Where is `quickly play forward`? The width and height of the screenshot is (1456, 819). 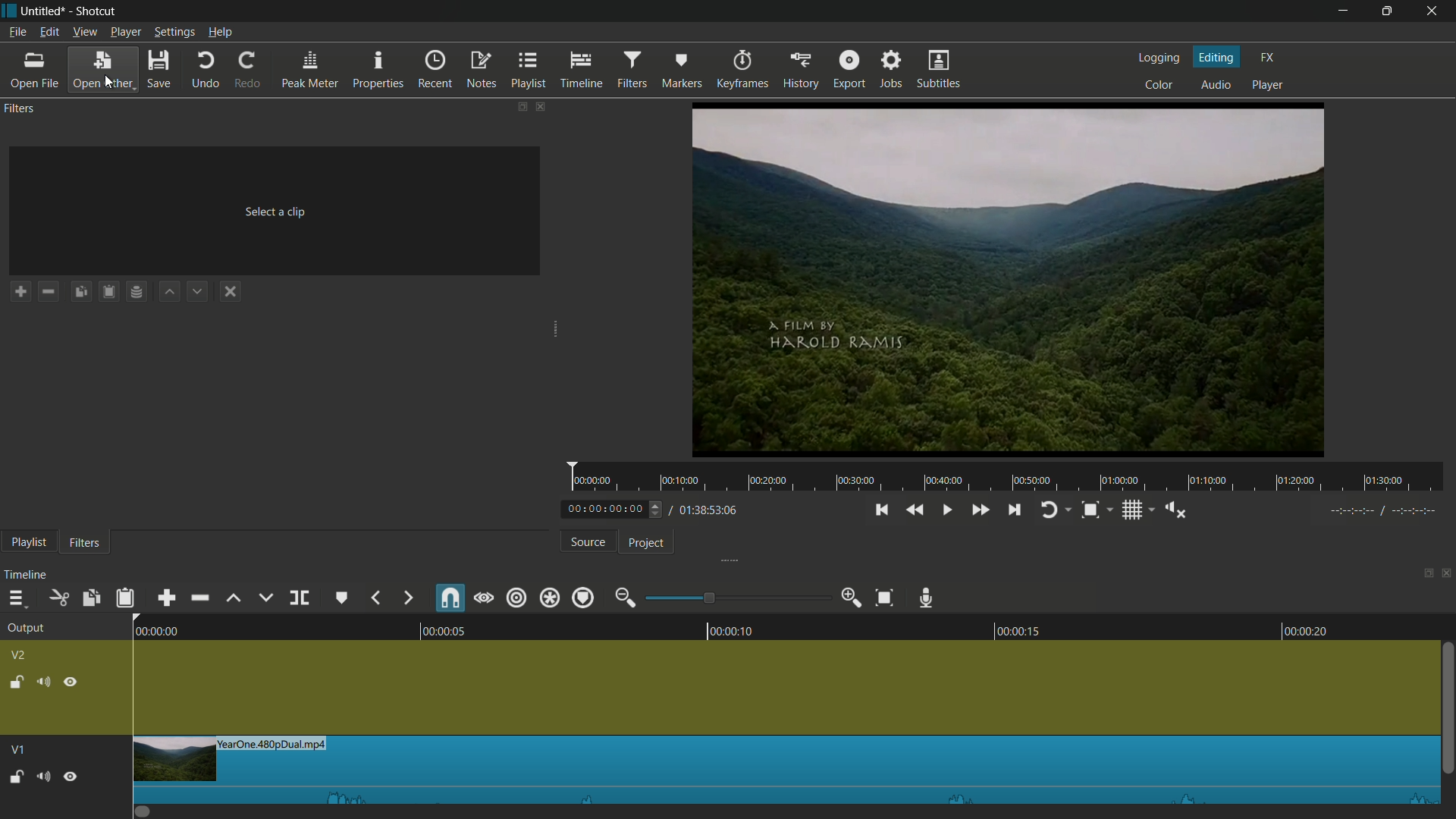 quickly play forward is located at coordinates (977, 509).